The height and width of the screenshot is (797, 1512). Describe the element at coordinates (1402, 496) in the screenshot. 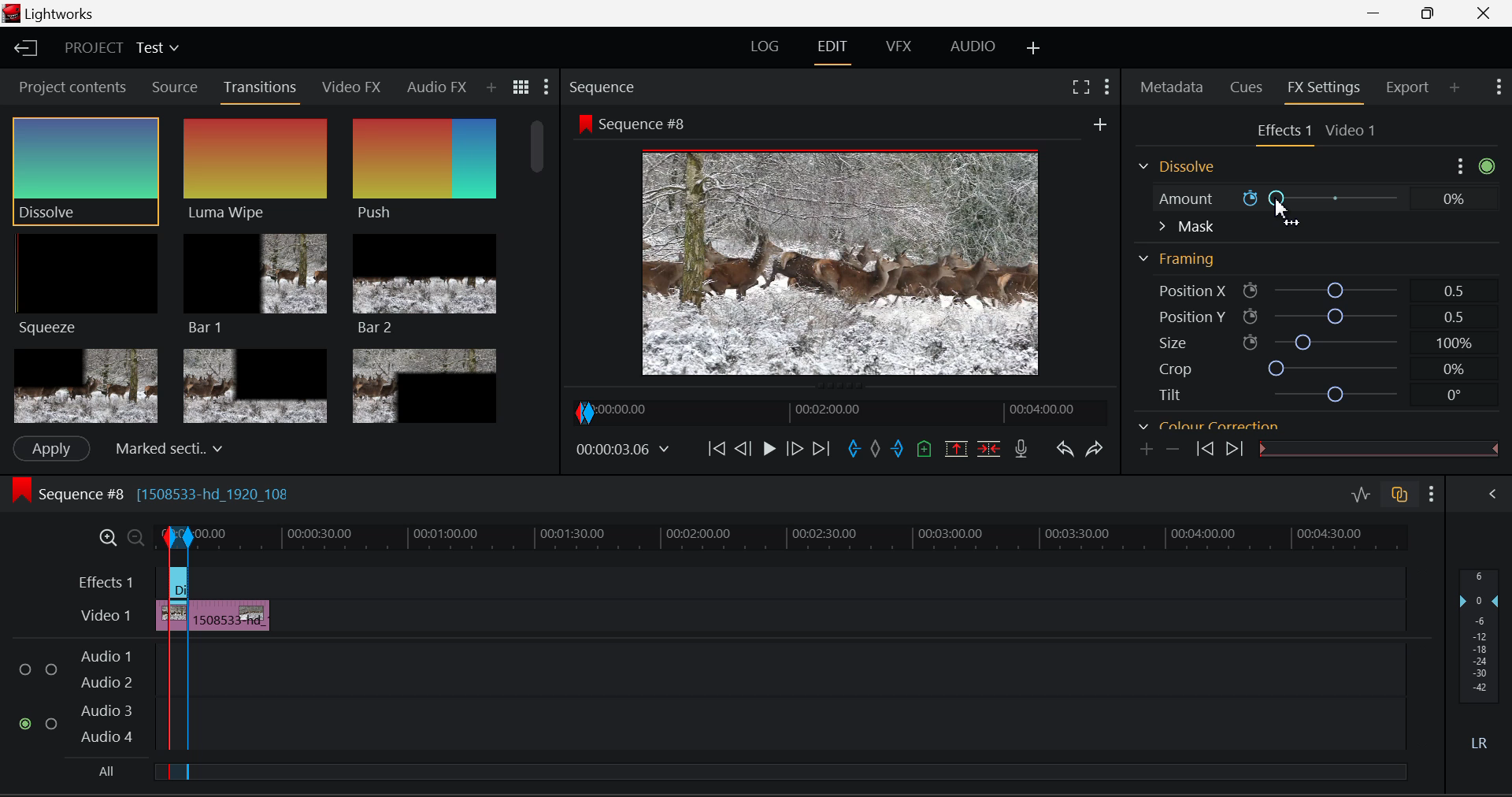

I see `Toggle Audio Track Sync` at that location.